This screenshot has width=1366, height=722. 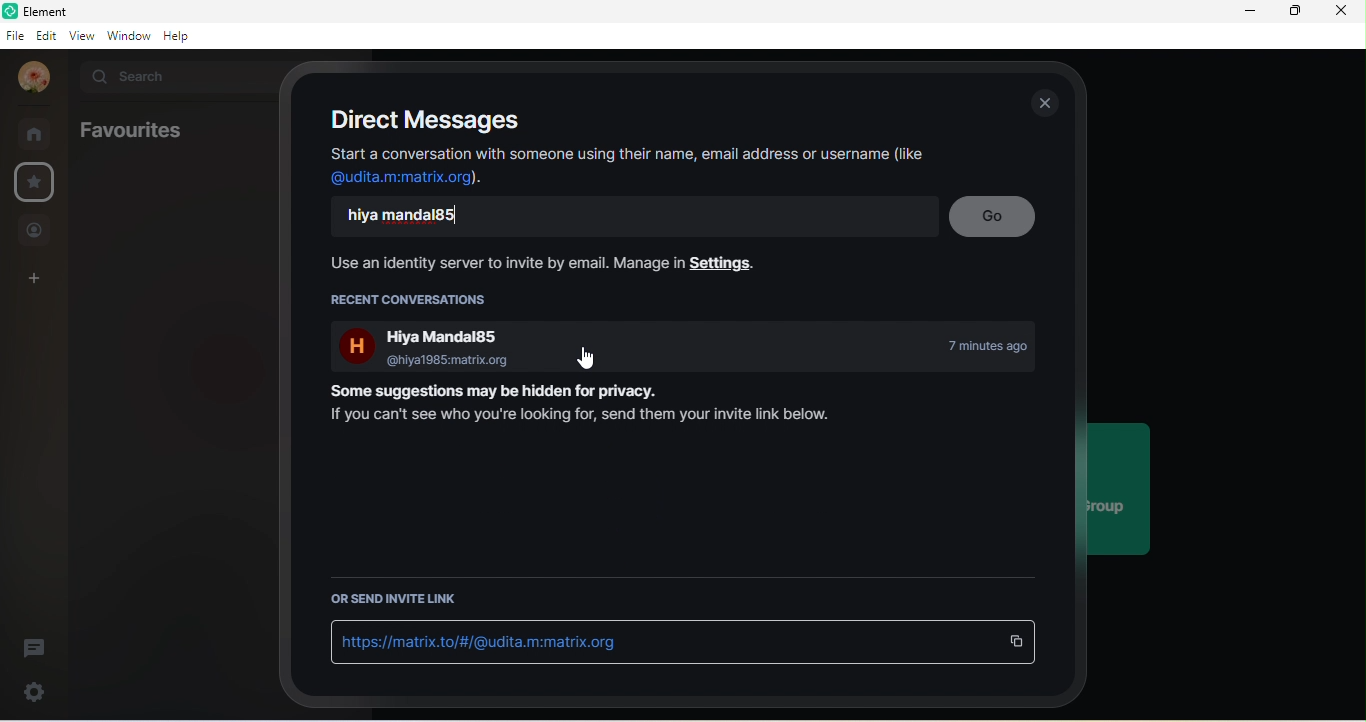 I want to click on search, so click(x=173, y=79).